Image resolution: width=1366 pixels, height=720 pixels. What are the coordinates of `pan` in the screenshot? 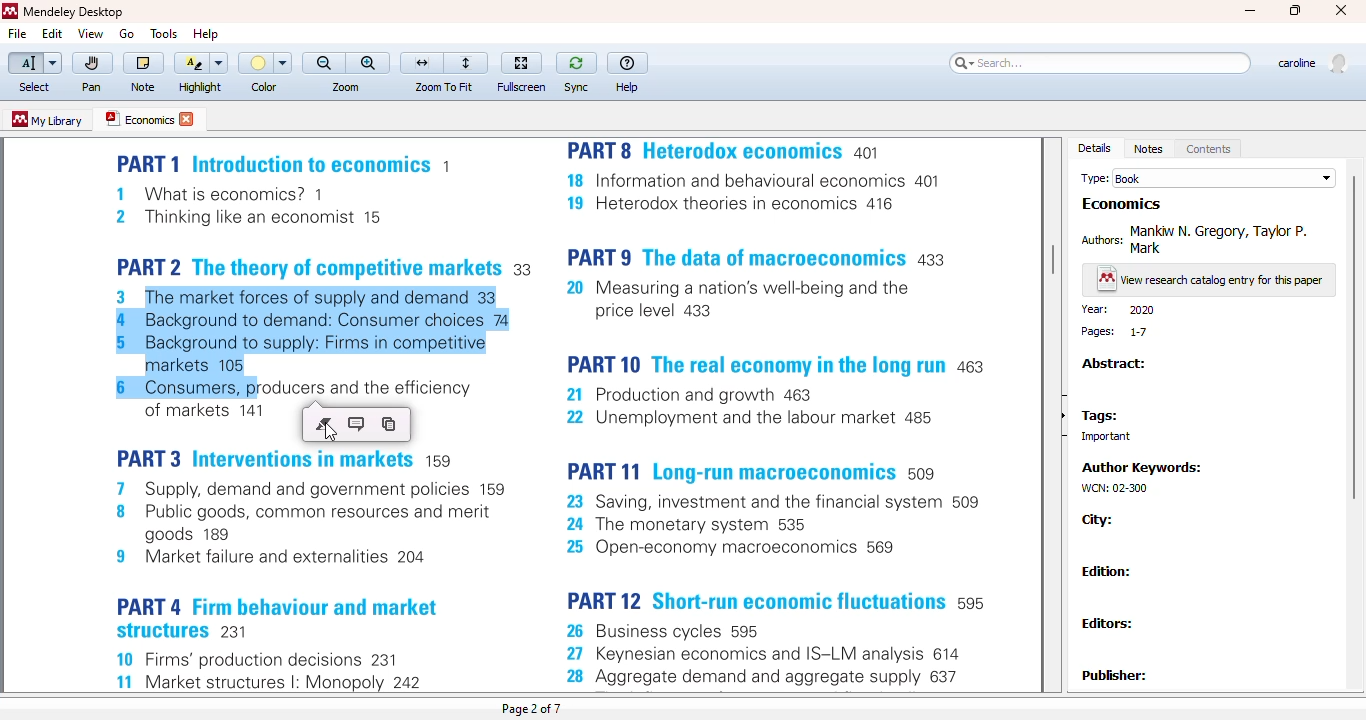 It's located at (93, 64).